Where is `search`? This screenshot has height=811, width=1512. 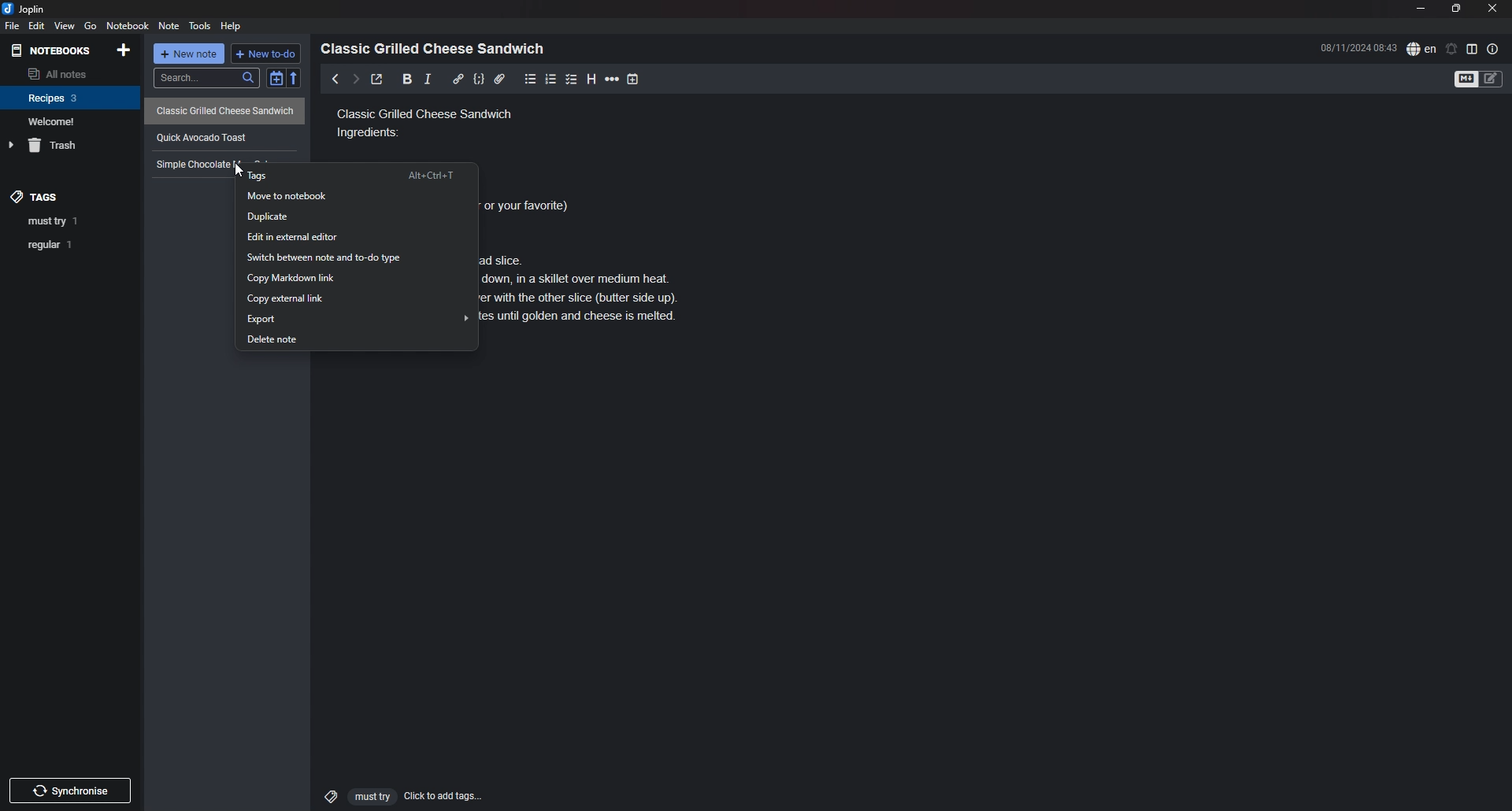
search is located at coordinates (206, 78).